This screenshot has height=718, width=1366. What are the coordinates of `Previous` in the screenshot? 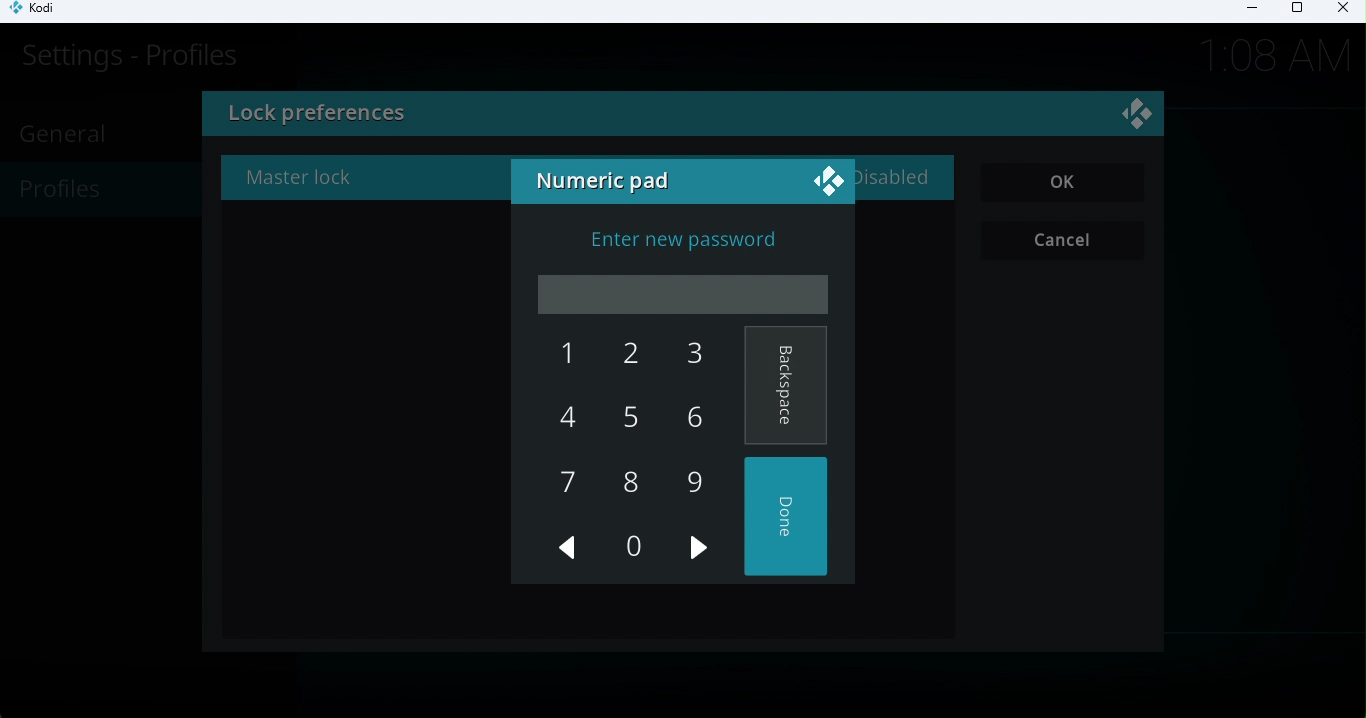 It's located at (569, 548).